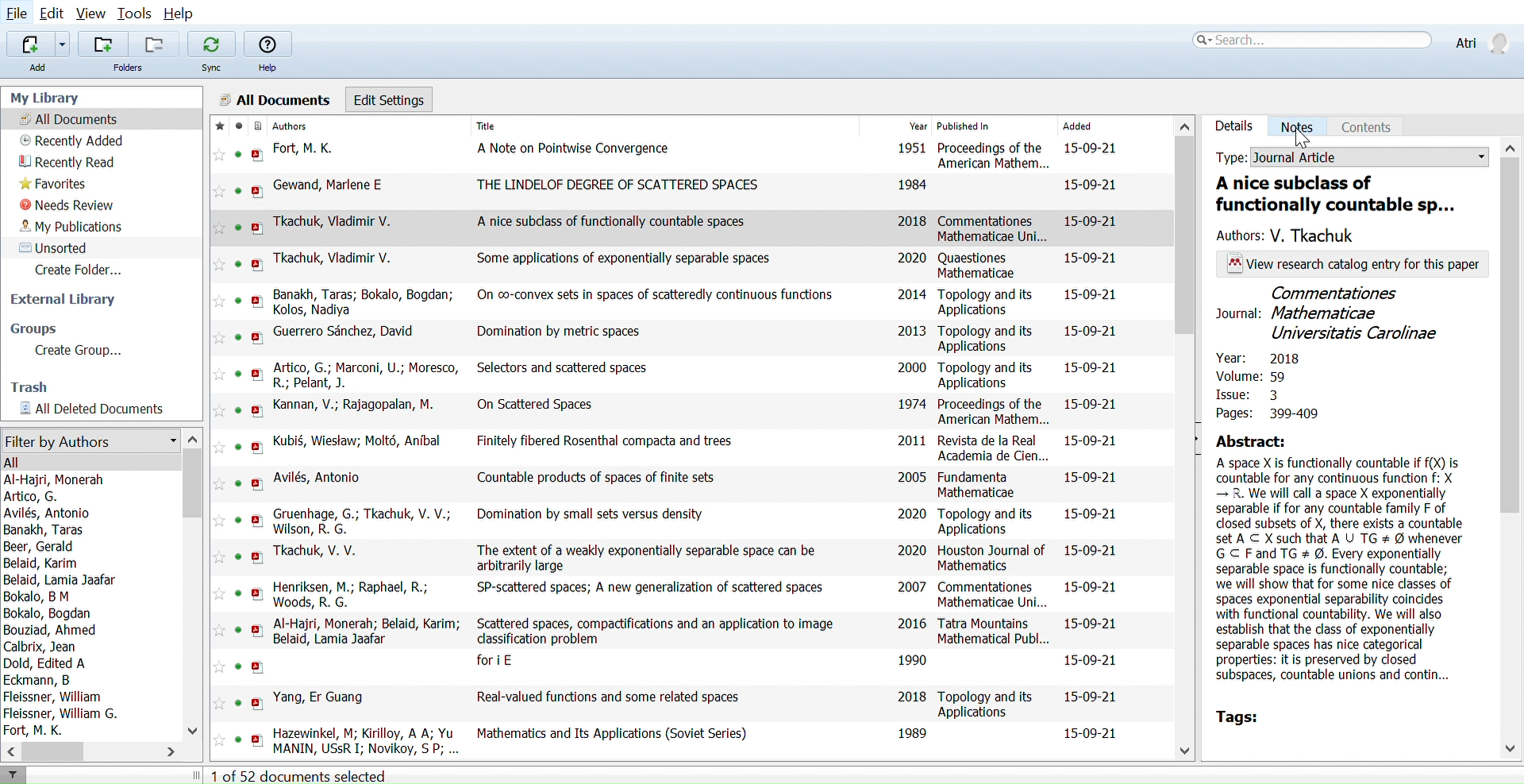 The height and width of the screenshot is (784, 1524). I want to click on Calbrix, Jean, so click(41, 647).